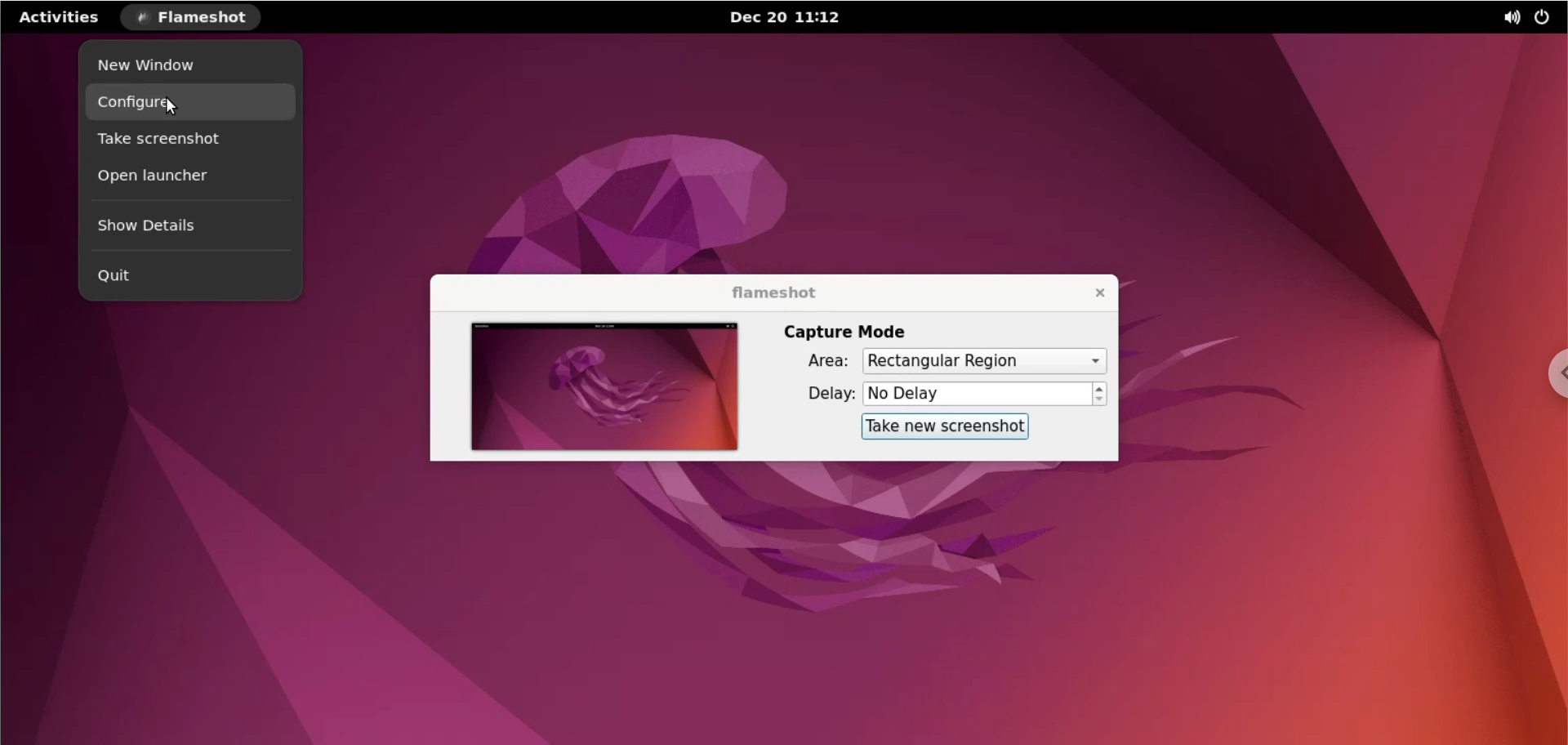  I want to click on No Delay, so click(977, 394).